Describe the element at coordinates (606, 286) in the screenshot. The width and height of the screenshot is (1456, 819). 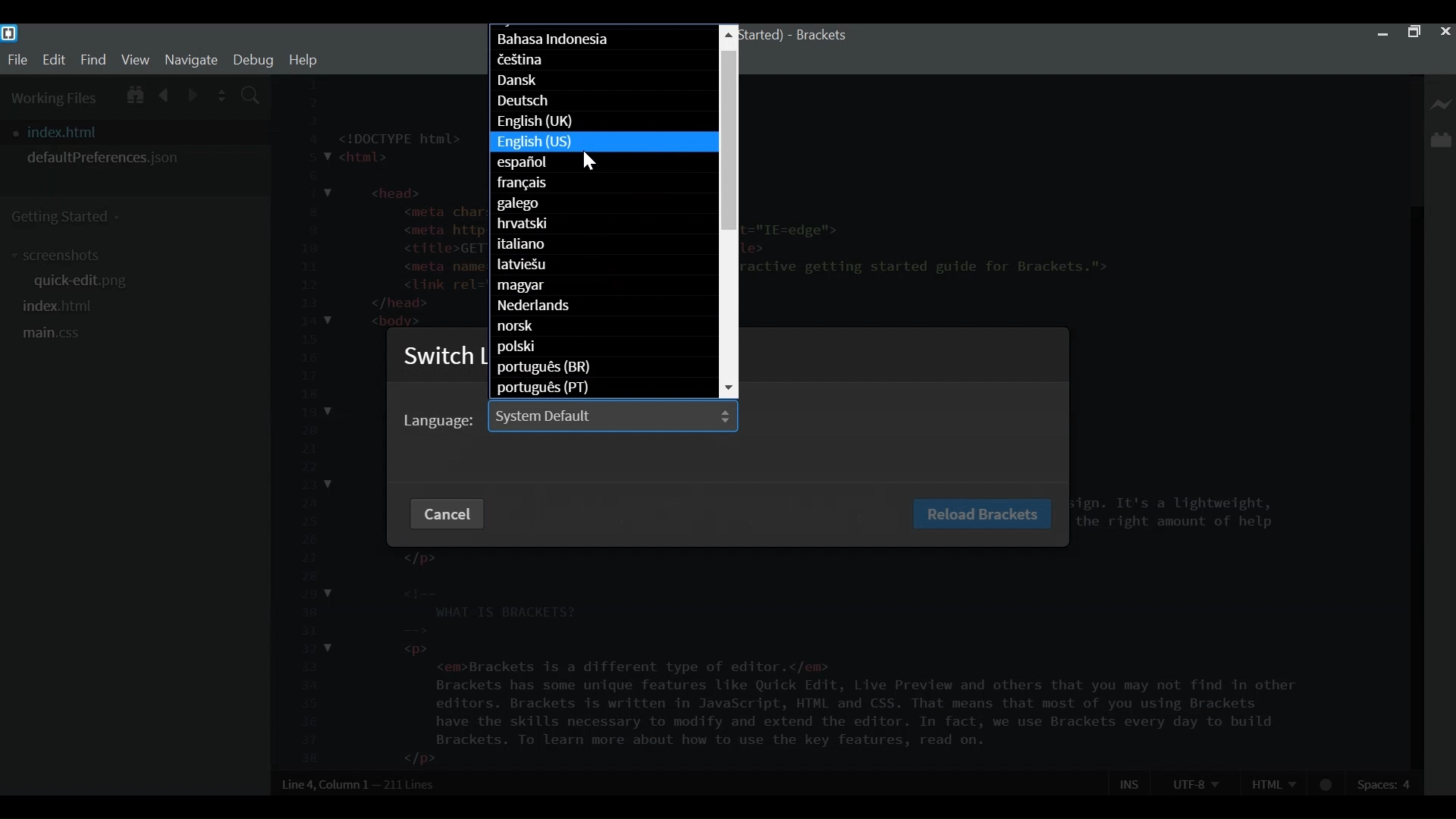
I see `magyar` at that location.